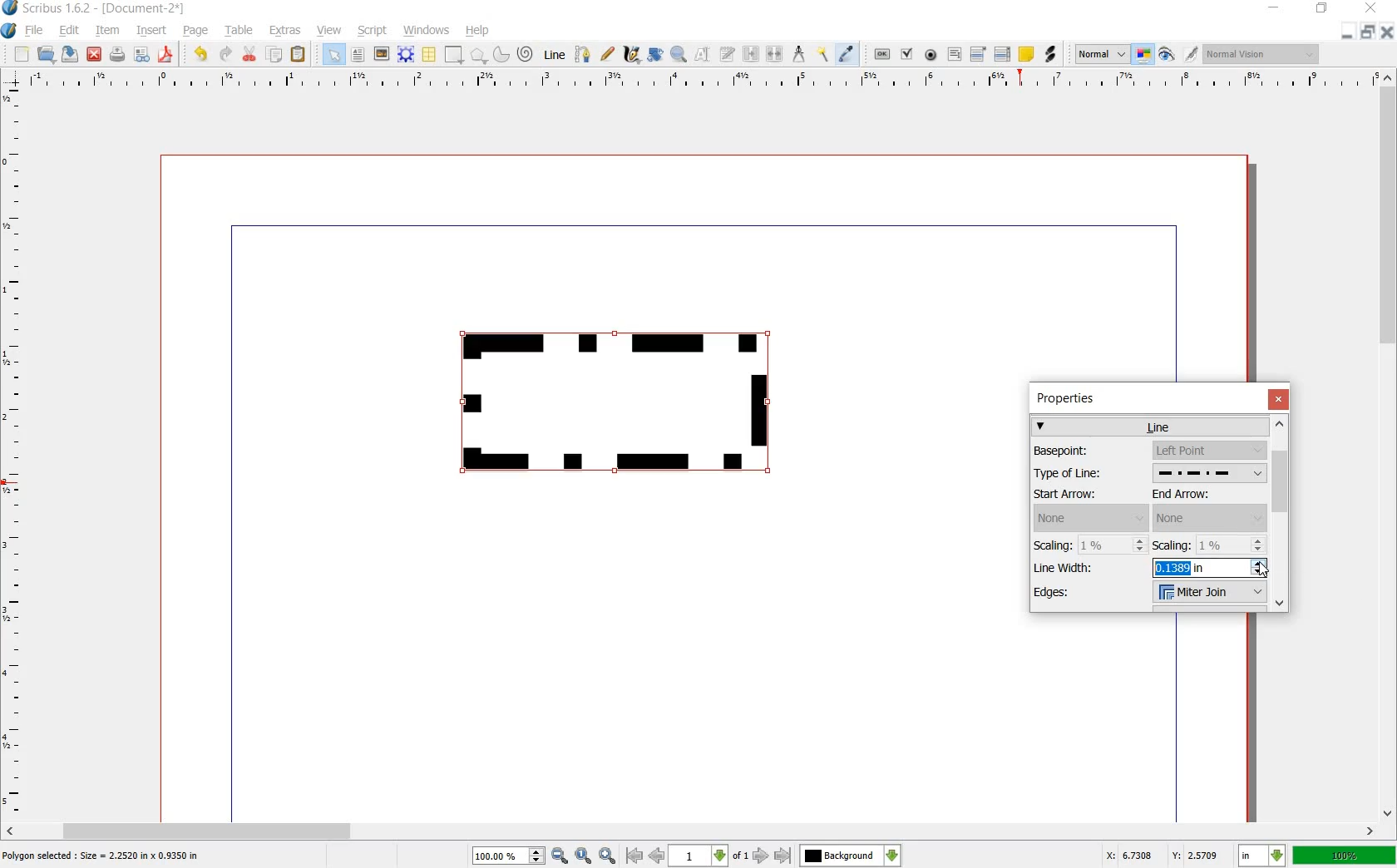  Describe the element at coordinates (608, 55) in the screenshot. I see `FREEHAND LINE` at that location.